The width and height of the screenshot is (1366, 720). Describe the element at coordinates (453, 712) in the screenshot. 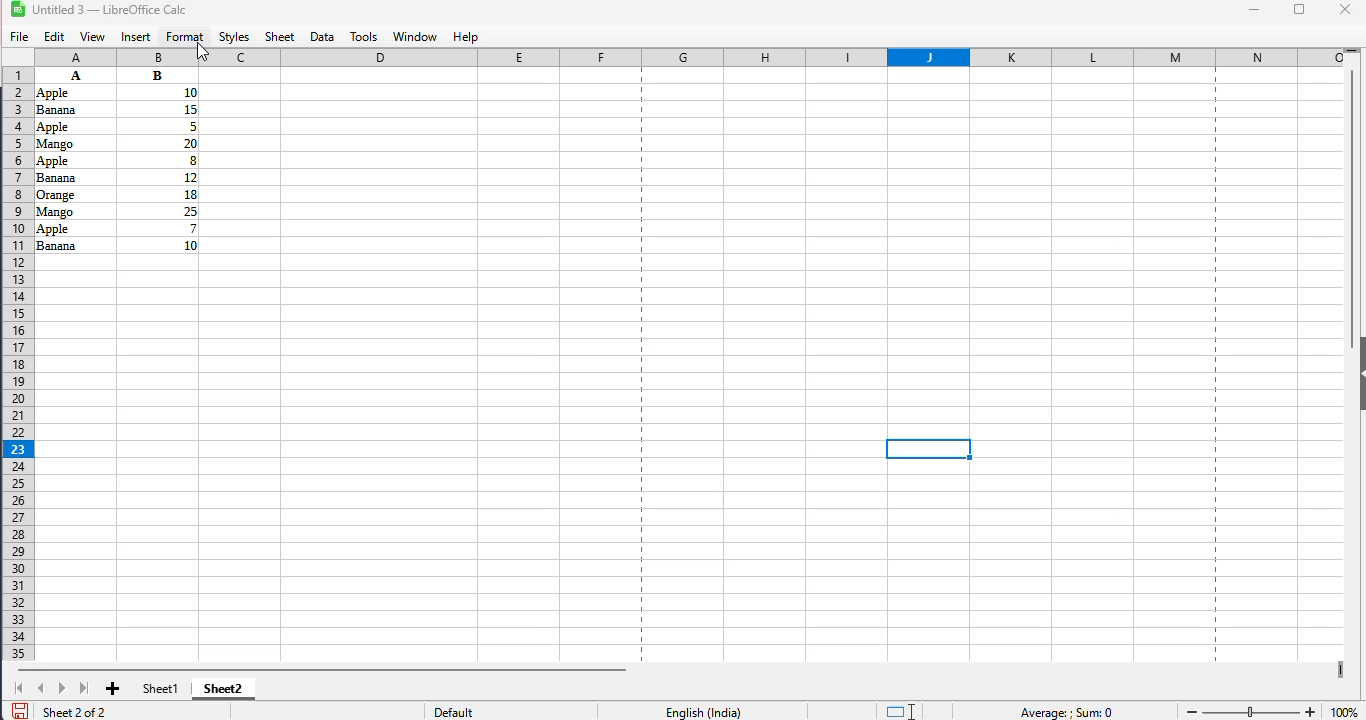

I see `default` at that location.